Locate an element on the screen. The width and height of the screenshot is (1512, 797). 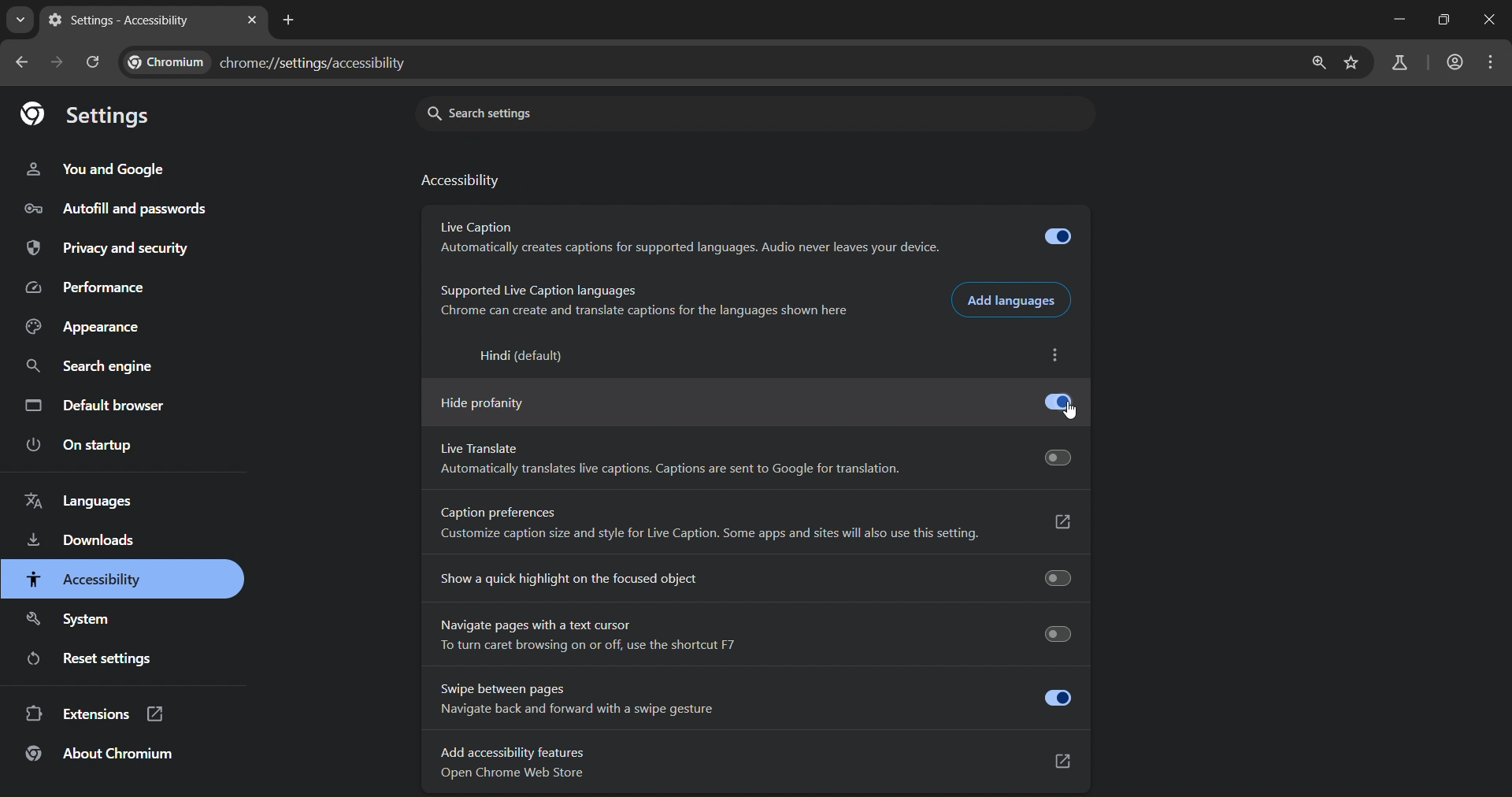
zoom is located at coordinates (1320, 64).